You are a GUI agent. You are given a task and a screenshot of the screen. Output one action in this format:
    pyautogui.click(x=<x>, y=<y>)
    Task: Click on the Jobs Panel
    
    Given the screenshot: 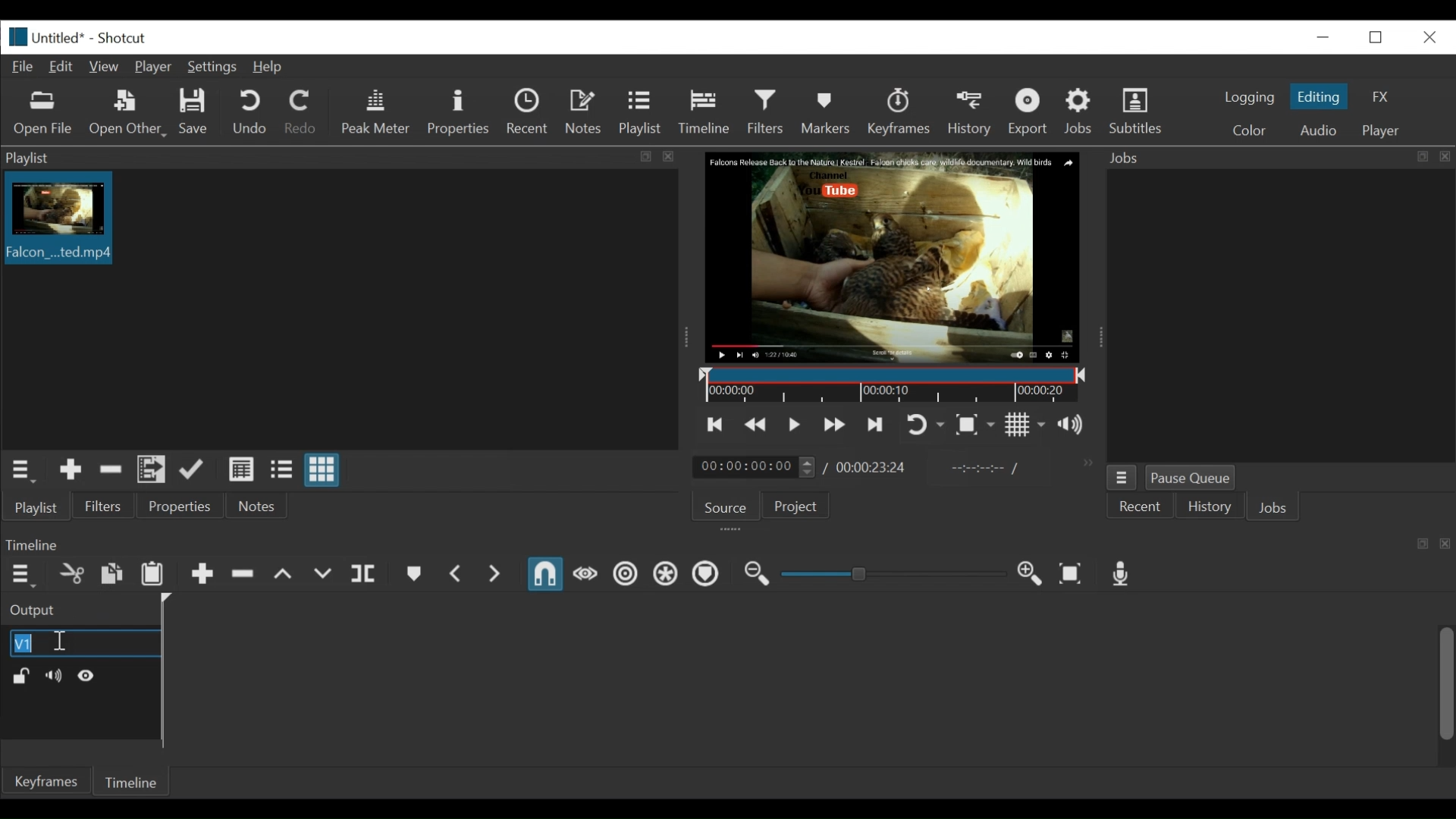 What is the action you would take?
    pyautogui.click(x=1275, y=158)
    